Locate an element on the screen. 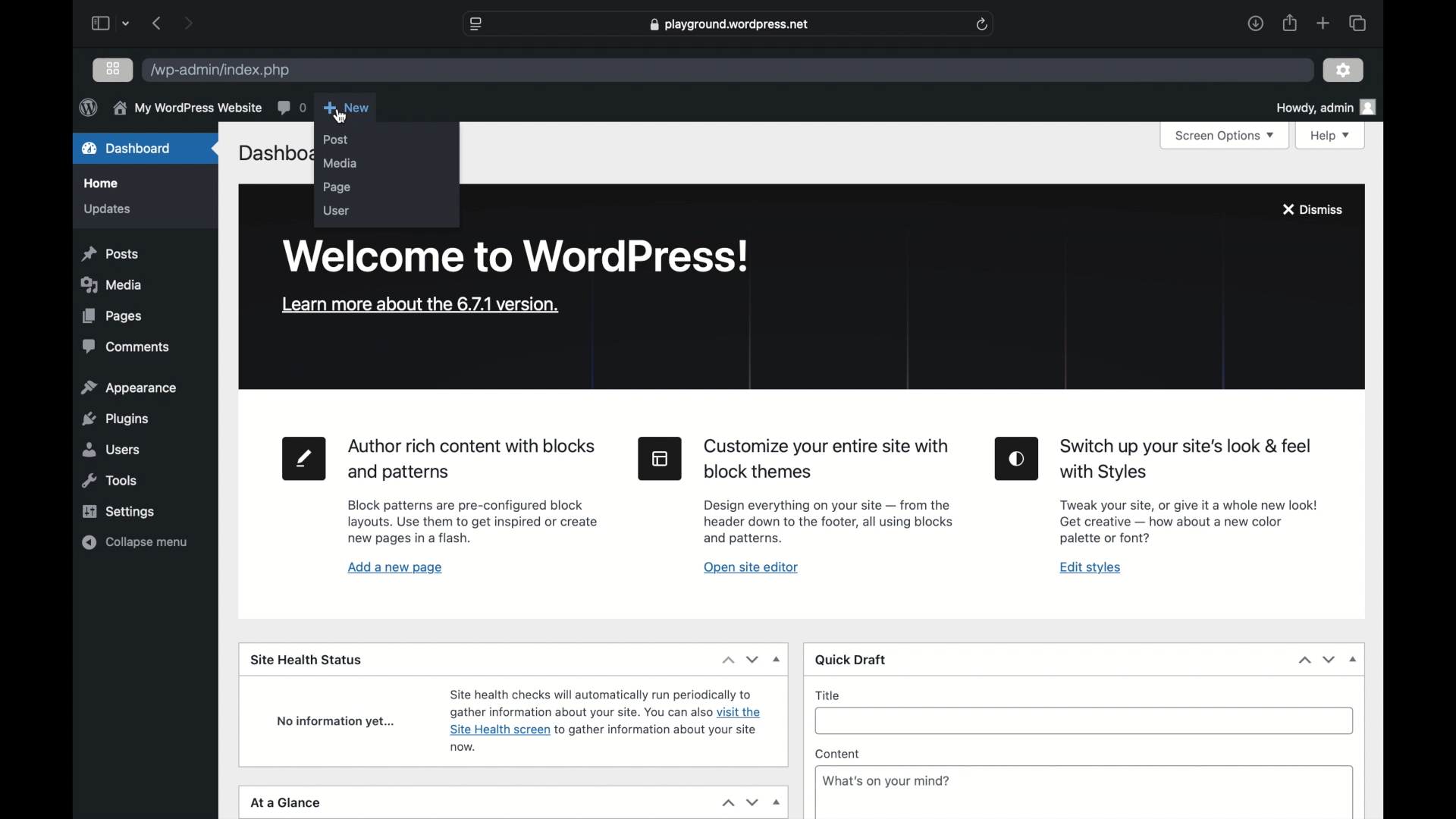  info is located at coordinates (187, 107).